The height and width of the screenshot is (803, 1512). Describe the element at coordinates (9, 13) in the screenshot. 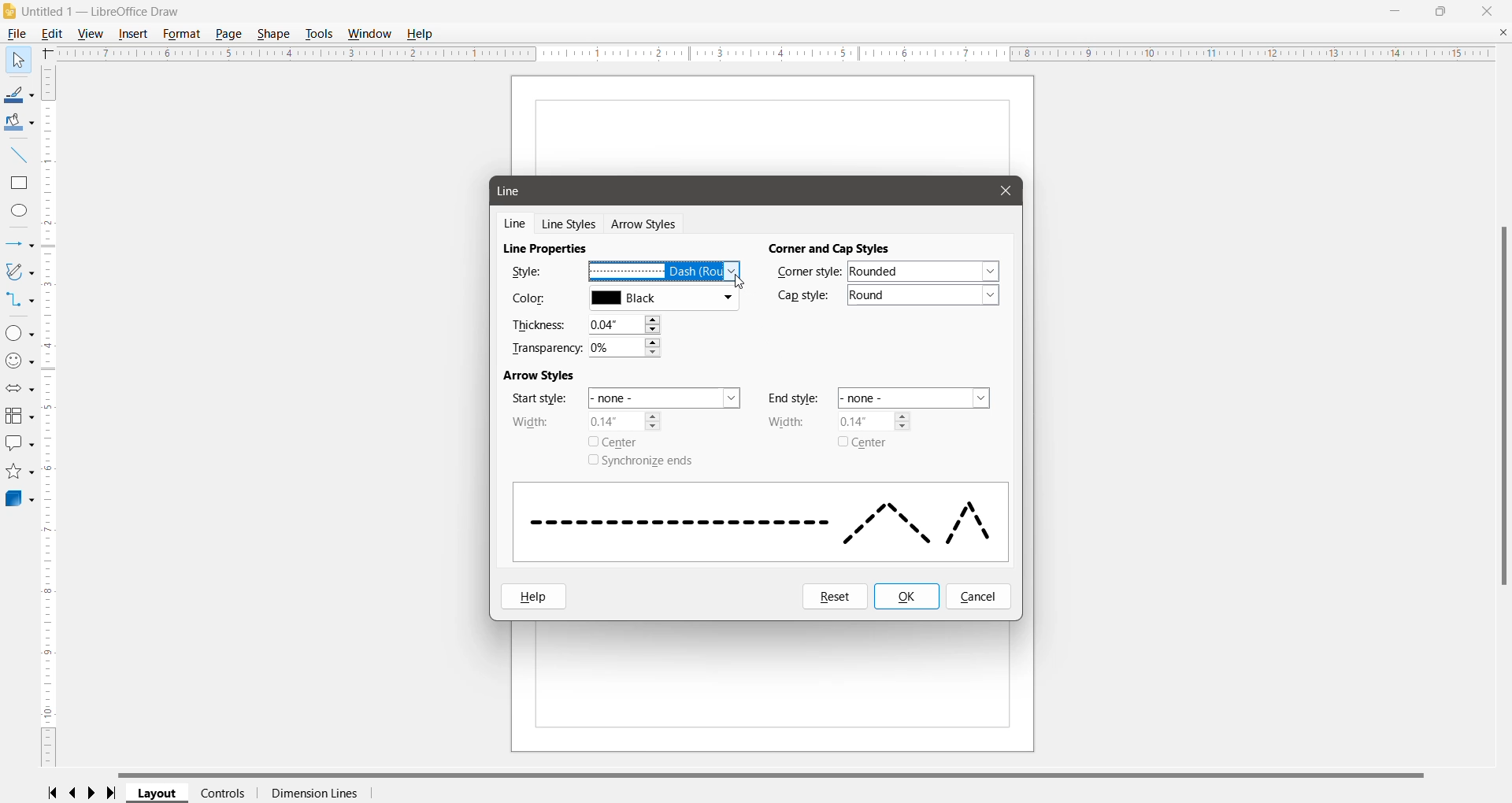

I see `Application Logo` at that location.